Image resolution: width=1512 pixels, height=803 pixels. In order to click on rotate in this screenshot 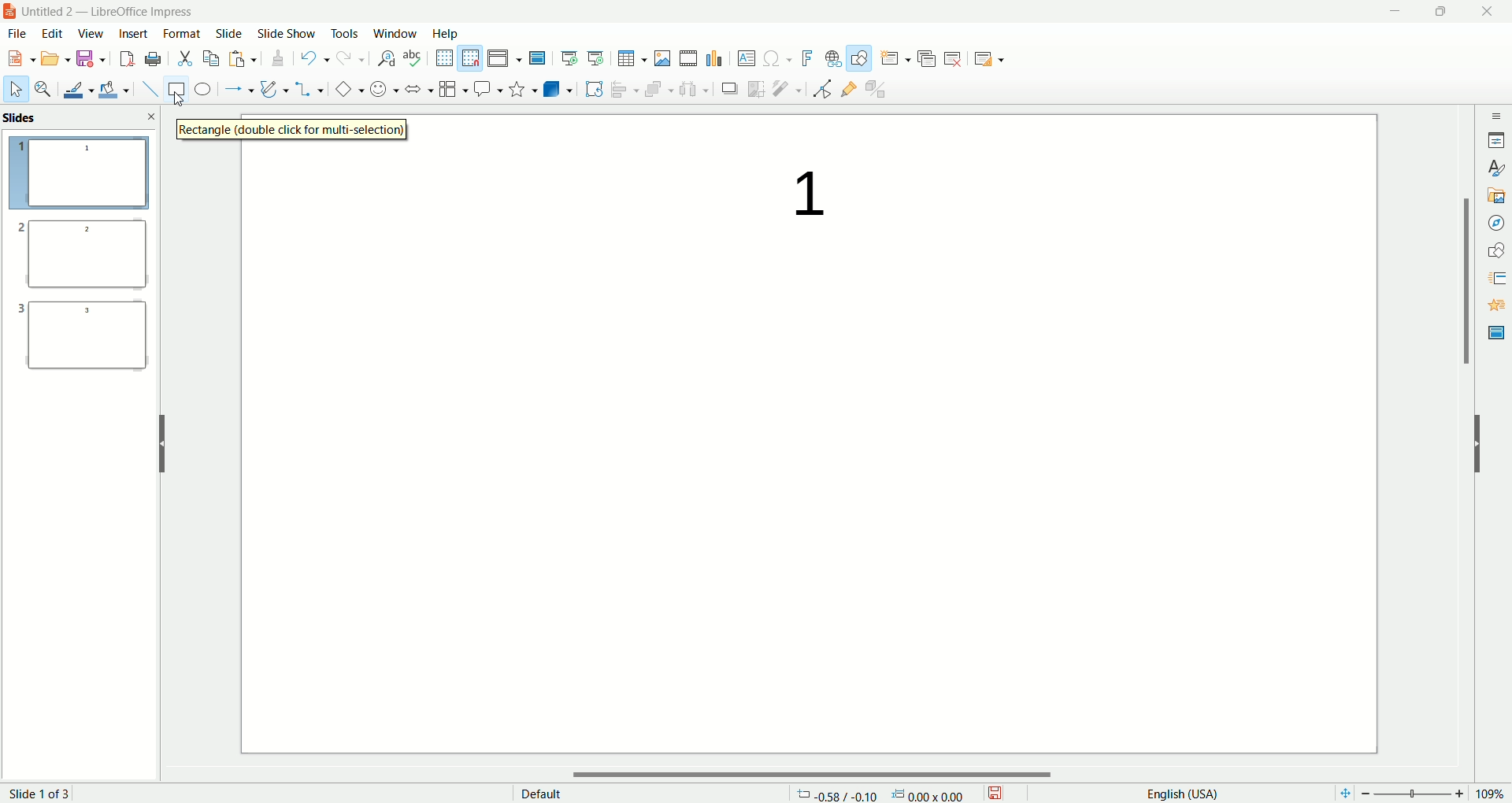, I will do `click(594, 88)`.